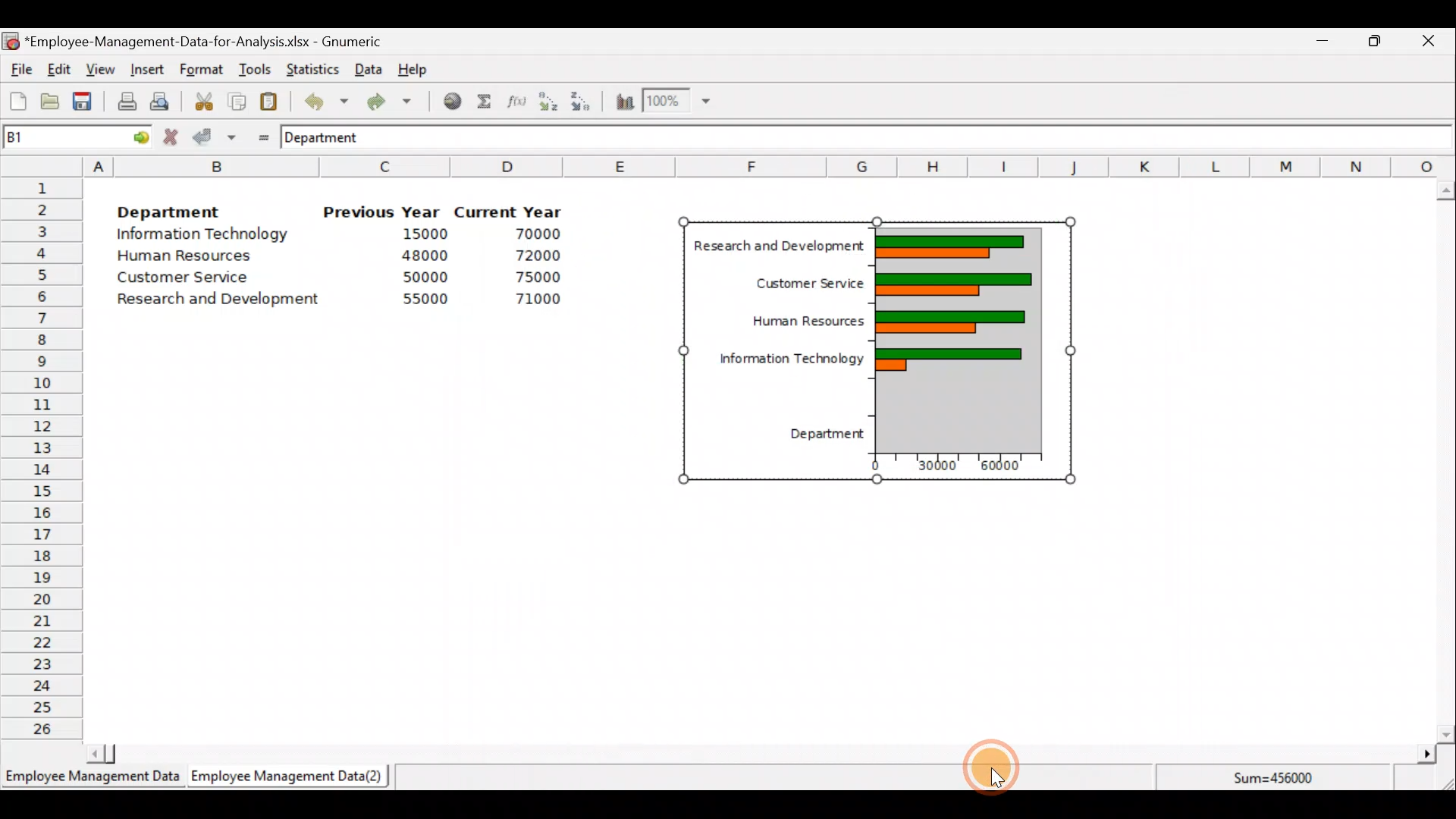  I want to click on Sum into the current cell, so click(482, 101).